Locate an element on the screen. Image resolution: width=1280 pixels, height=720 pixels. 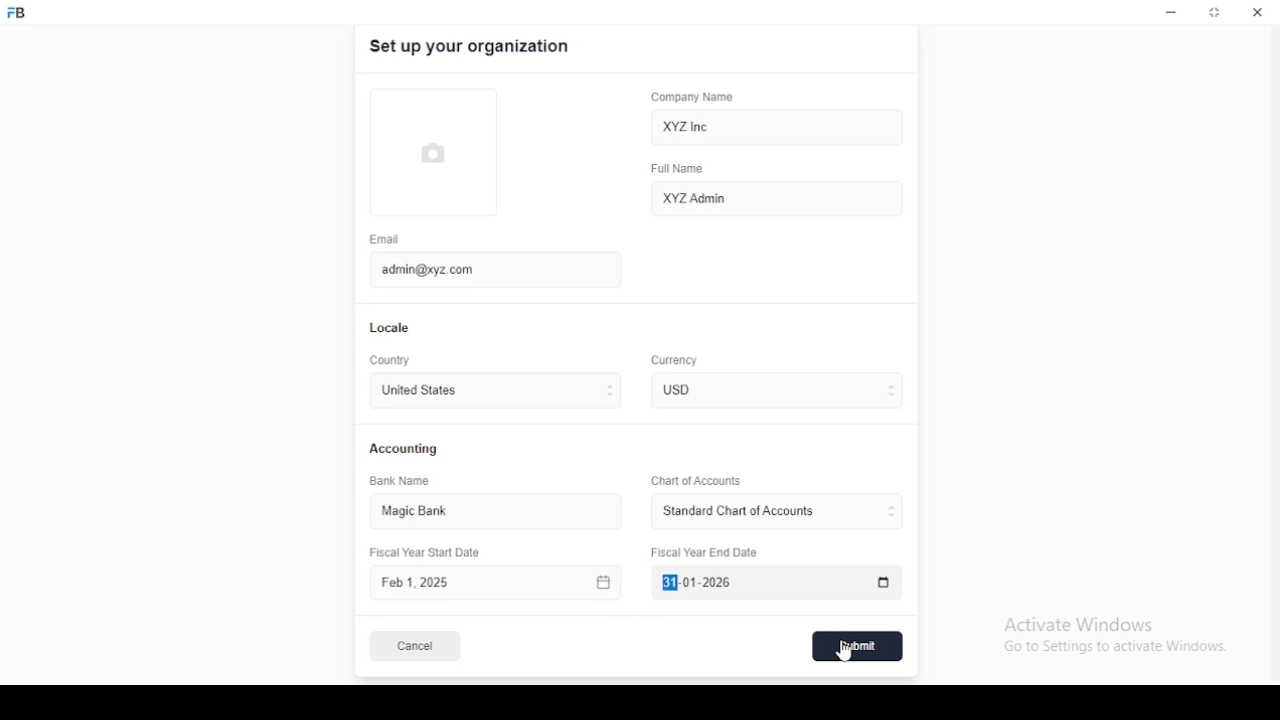
cancel is located at coordinates (415, 647).